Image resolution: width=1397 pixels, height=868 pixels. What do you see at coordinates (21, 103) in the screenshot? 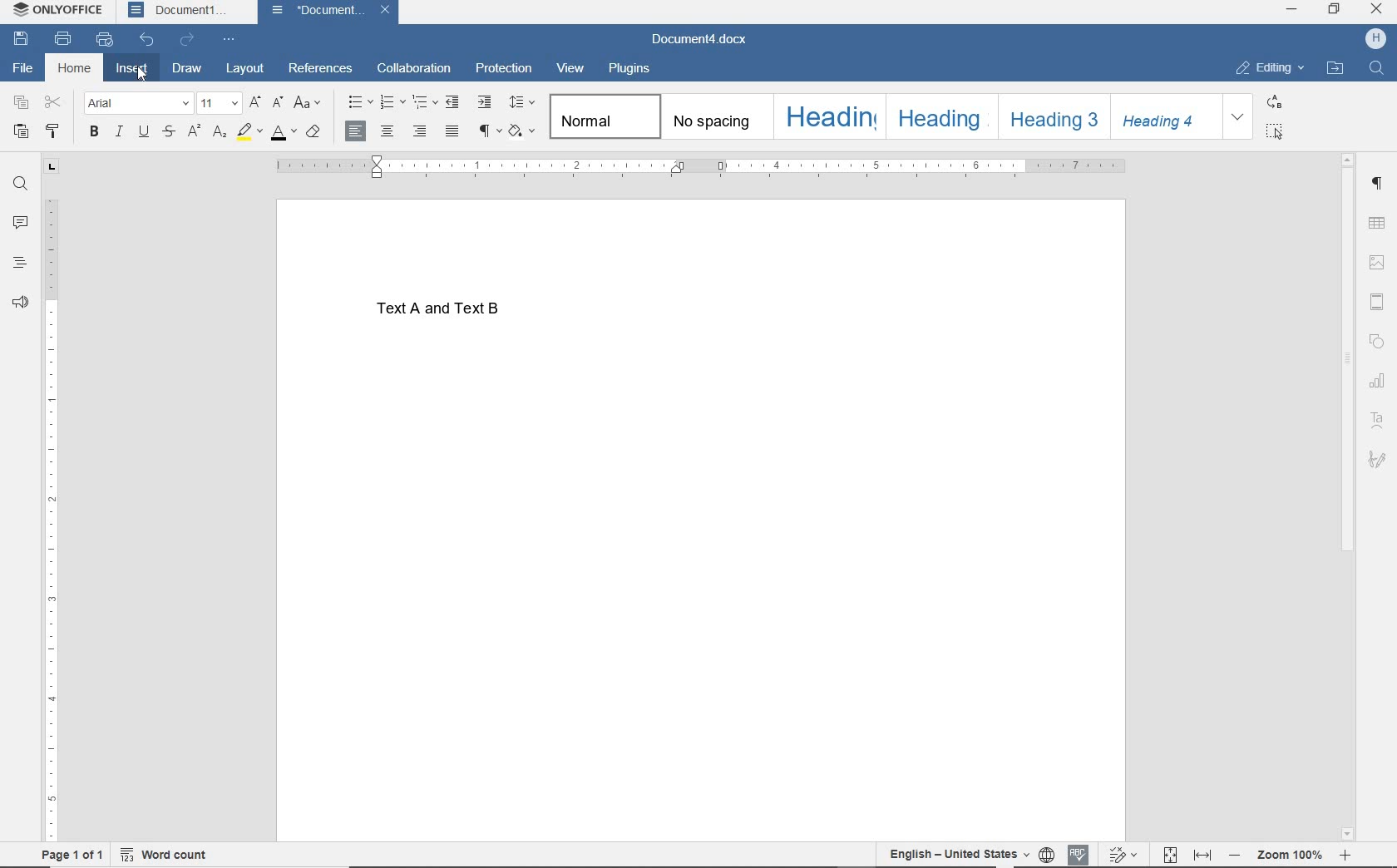
I see `COPY` at bounding box center [21, 103].